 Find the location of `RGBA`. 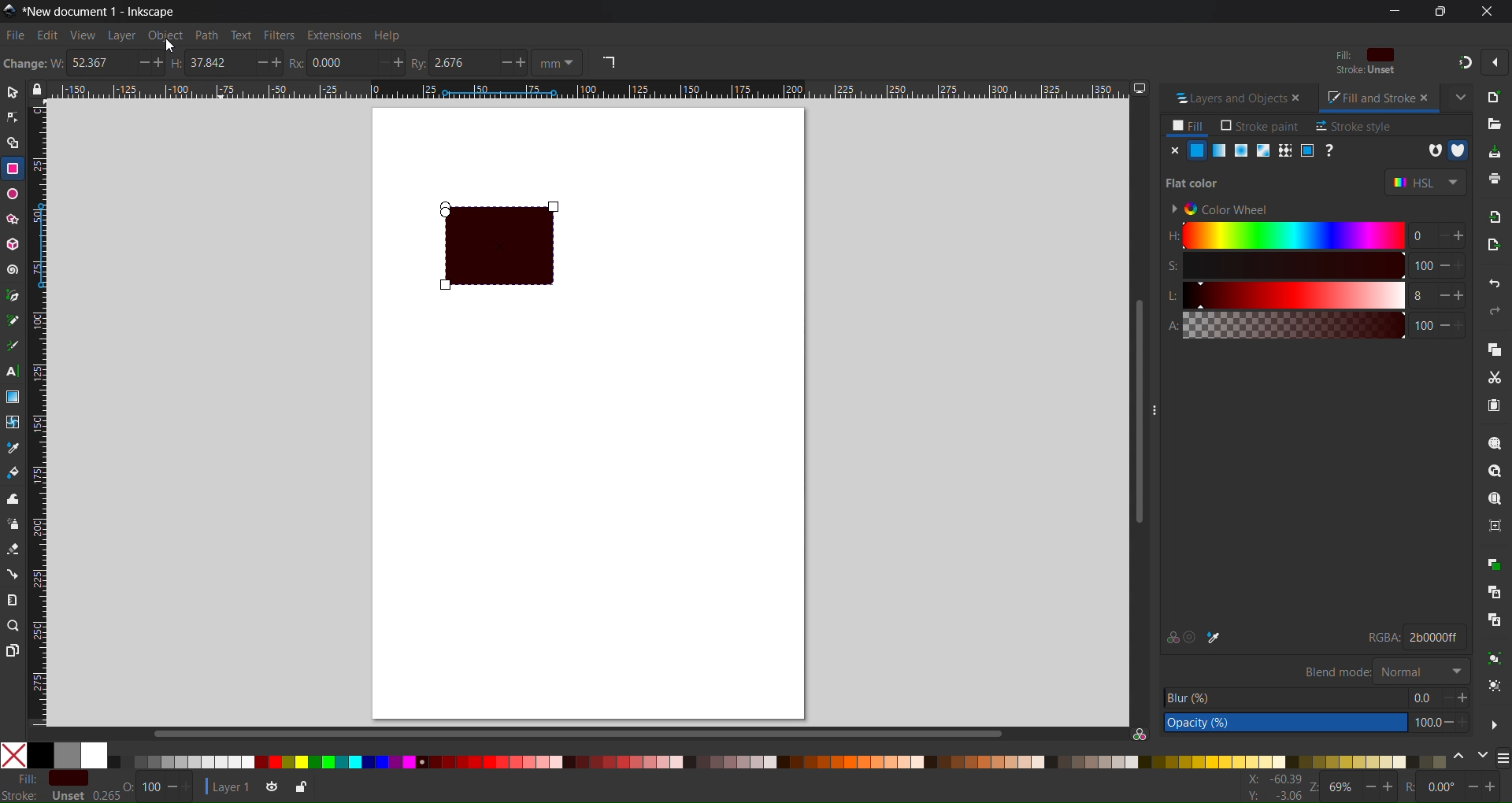

RGBA is located at coordinates (1376, 638).